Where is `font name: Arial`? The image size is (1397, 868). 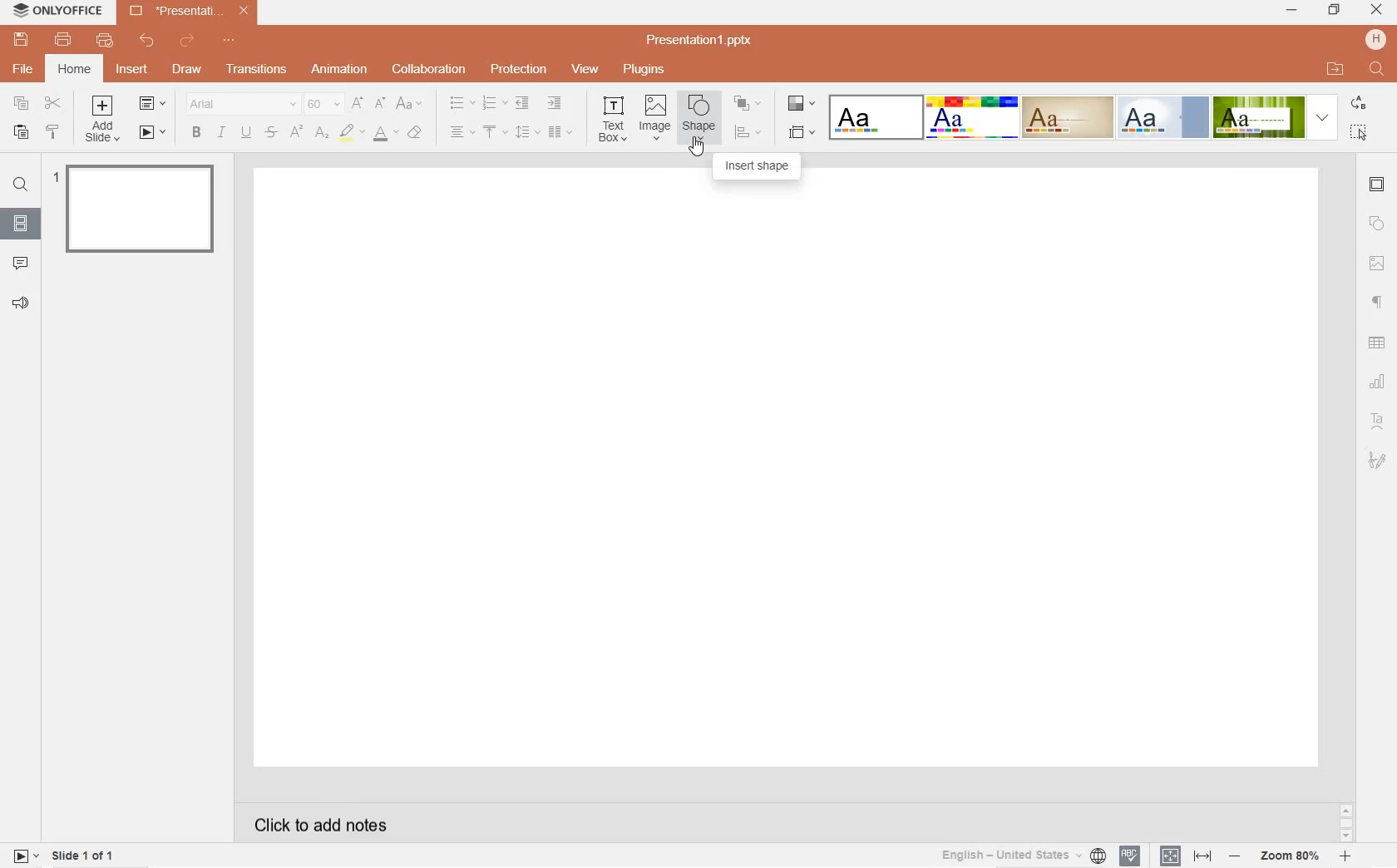 font name: Arial is located at coordinates (239, 104).